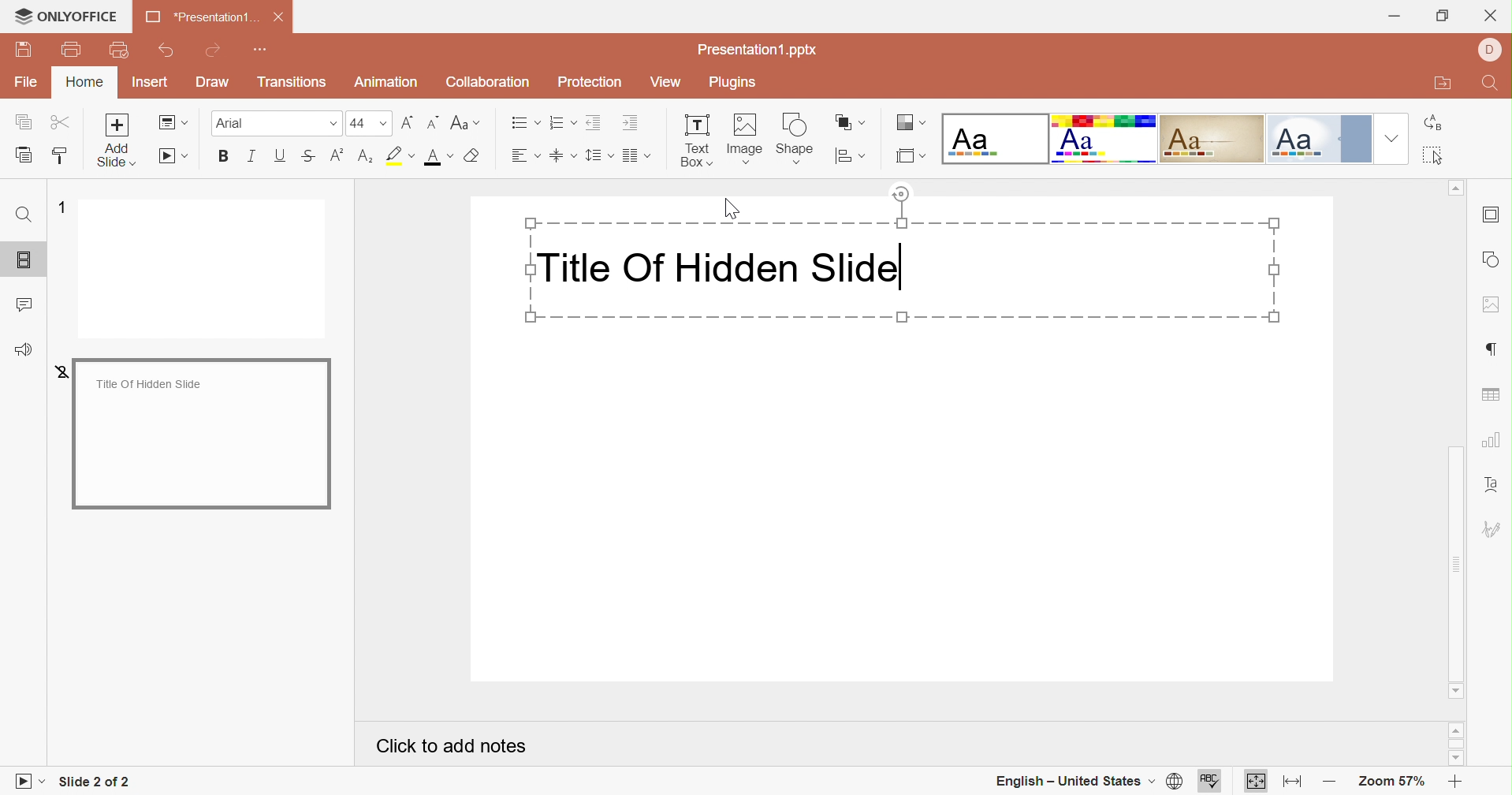  I want to click on Spell checking, so click(1208, 782).